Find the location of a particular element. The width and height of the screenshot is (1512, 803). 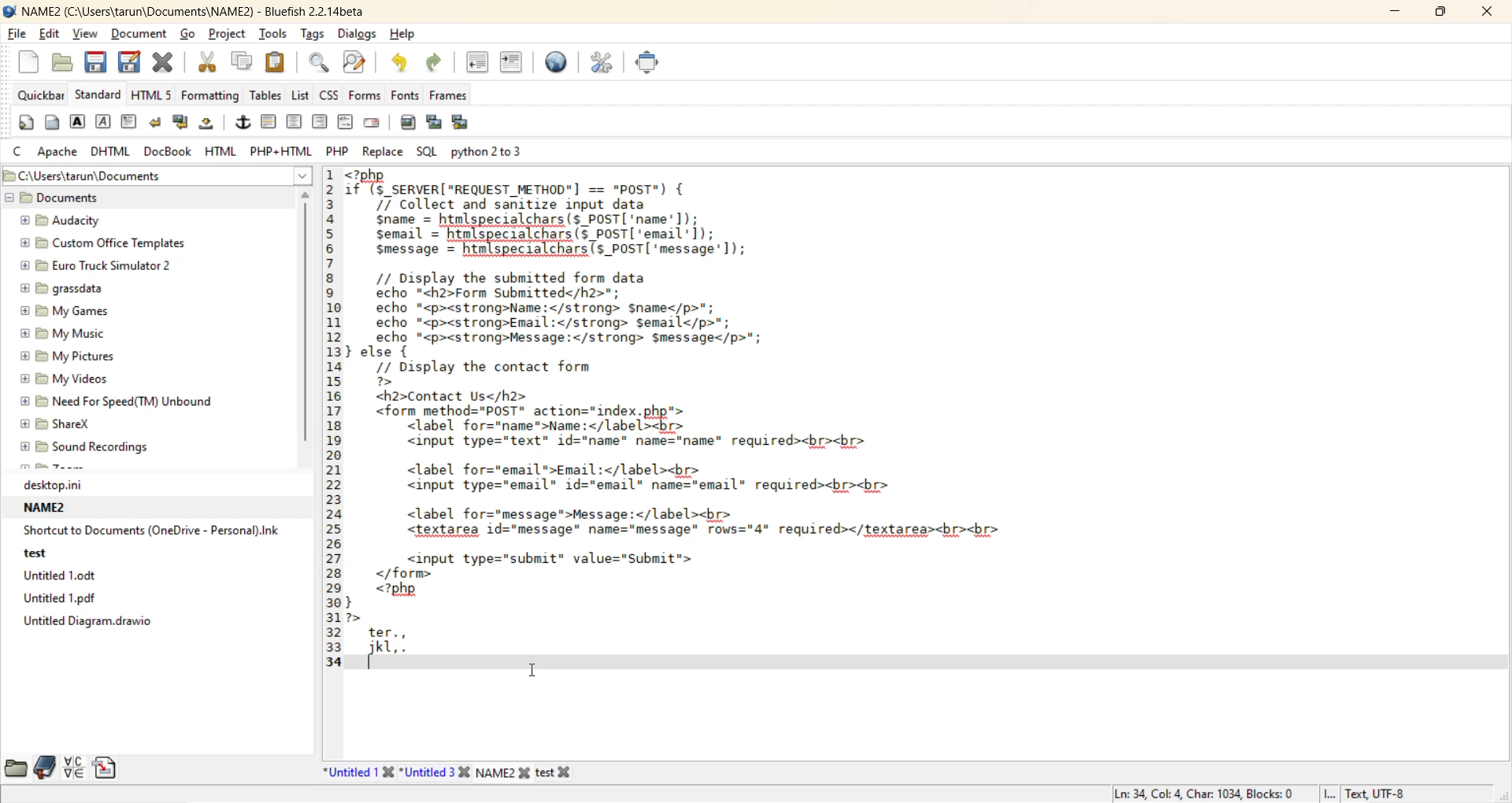

Sound Recordings is located at coordinates (92, 446).